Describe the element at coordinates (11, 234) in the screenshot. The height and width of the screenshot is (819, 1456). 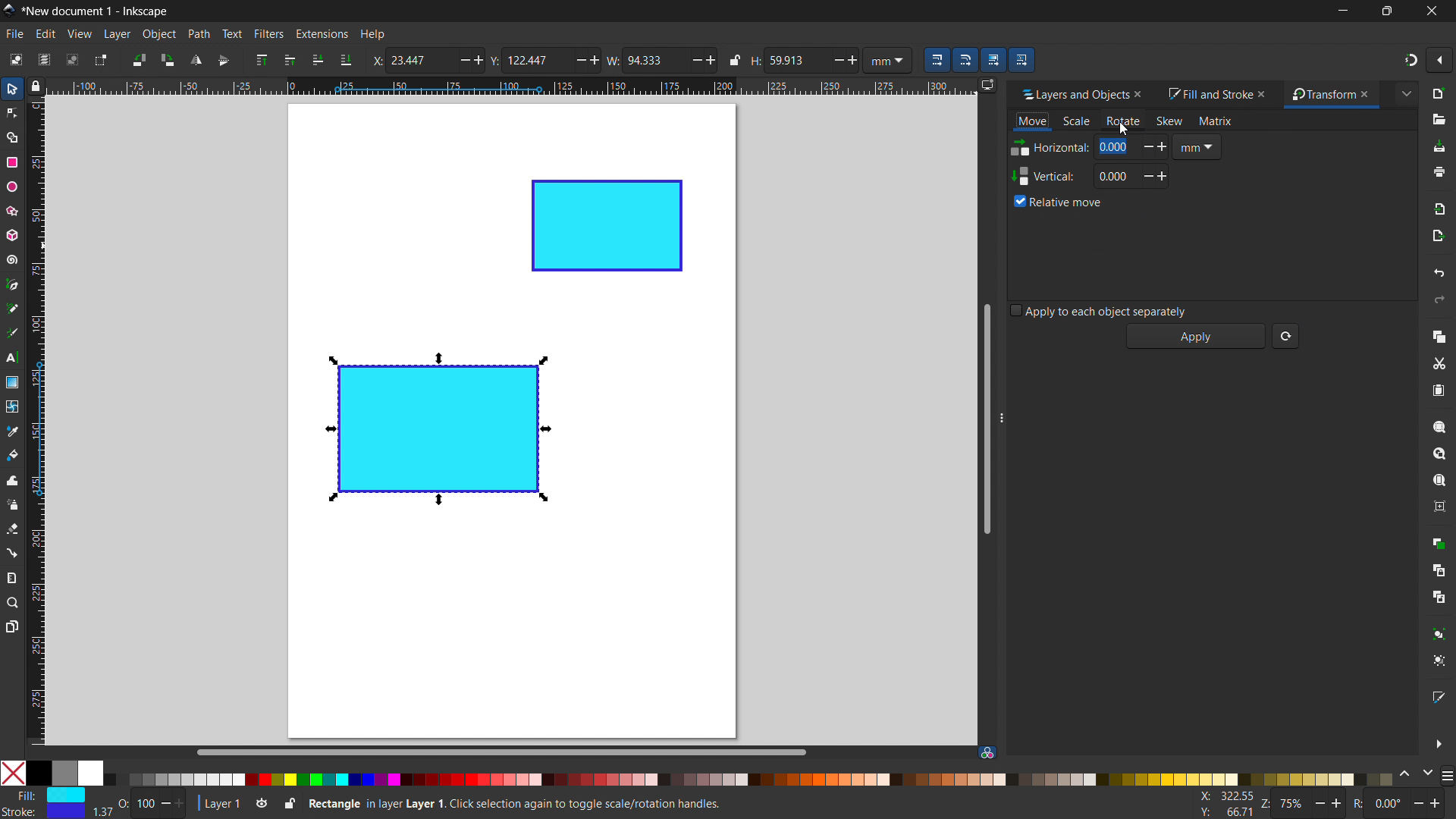
I see `3D box tool` at that location.